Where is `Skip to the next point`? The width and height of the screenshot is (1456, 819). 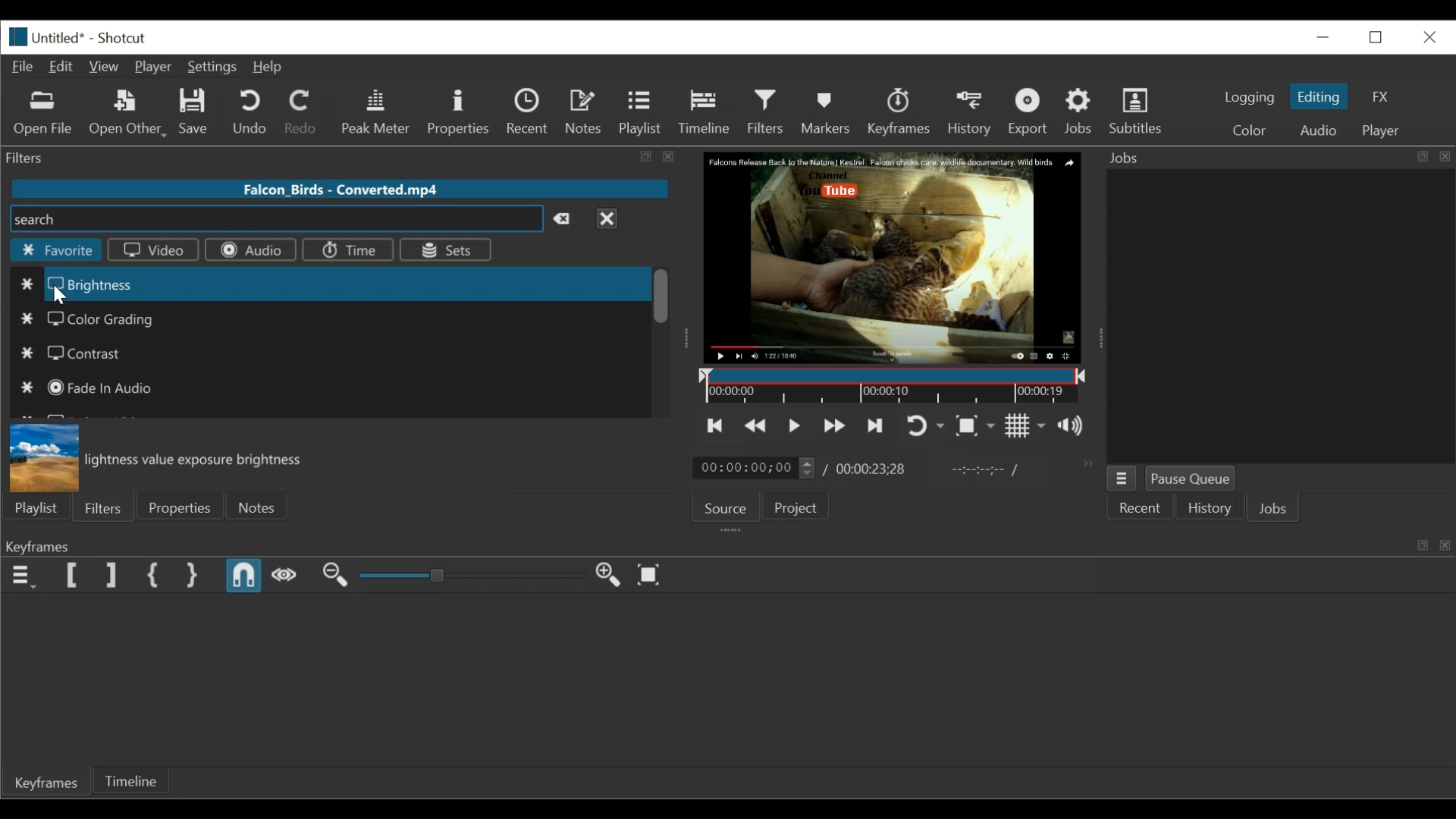 Skip to the next point is located at coordinates (872, 427).